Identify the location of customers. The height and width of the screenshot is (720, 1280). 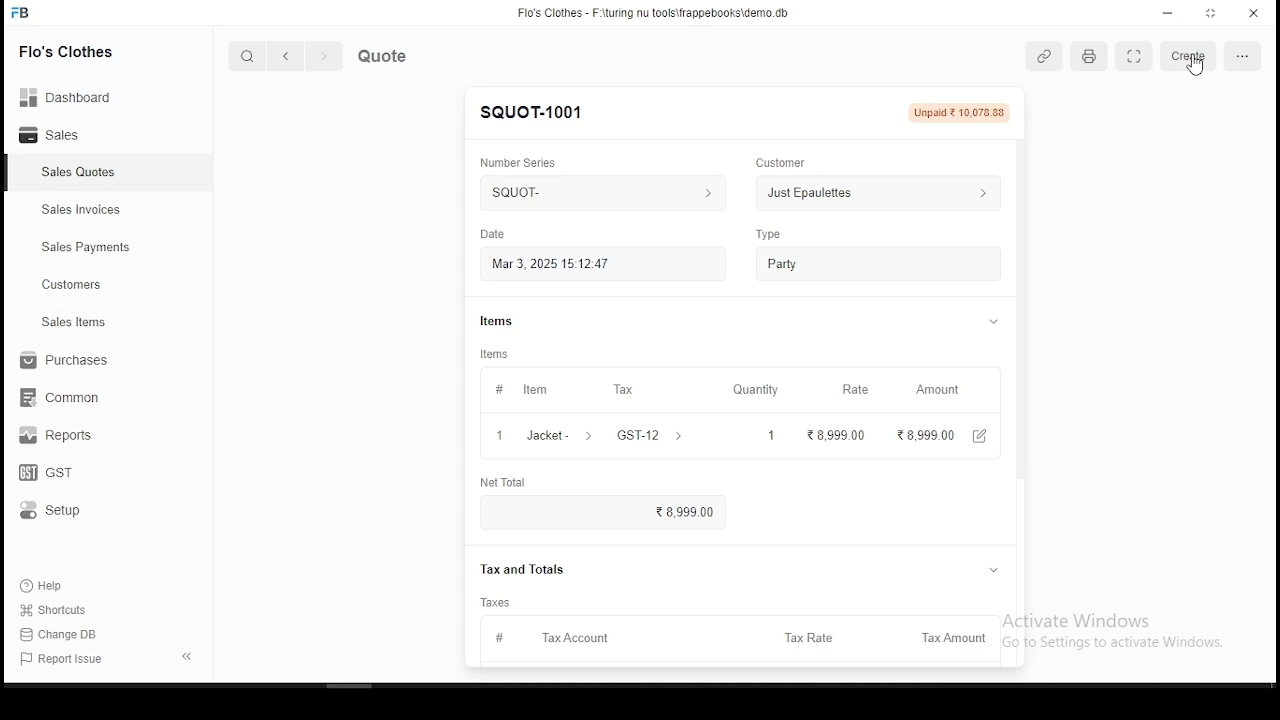
(75, 285).